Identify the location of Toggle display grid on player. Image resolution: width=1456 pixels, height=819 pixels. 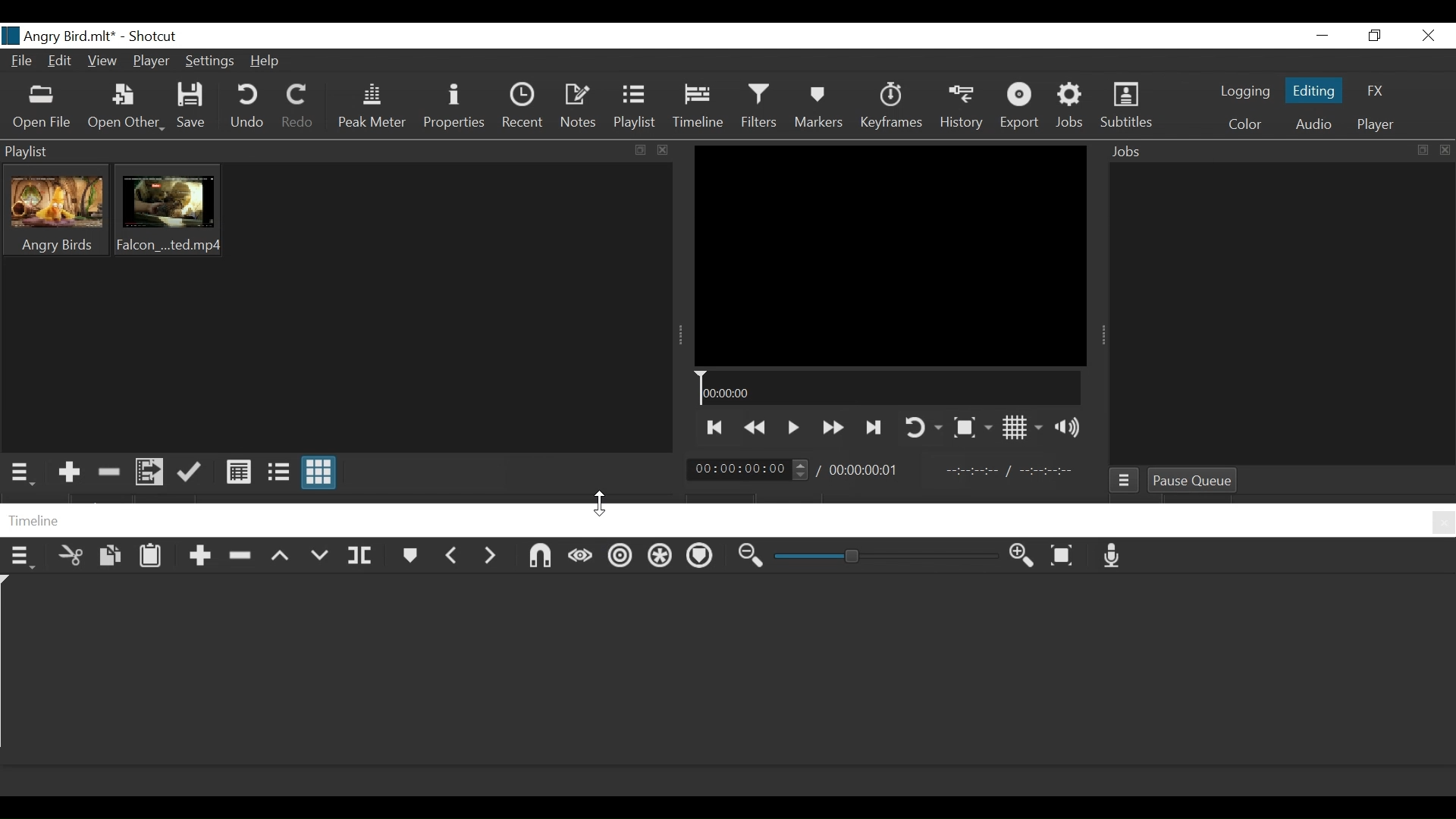
(1025, 428).